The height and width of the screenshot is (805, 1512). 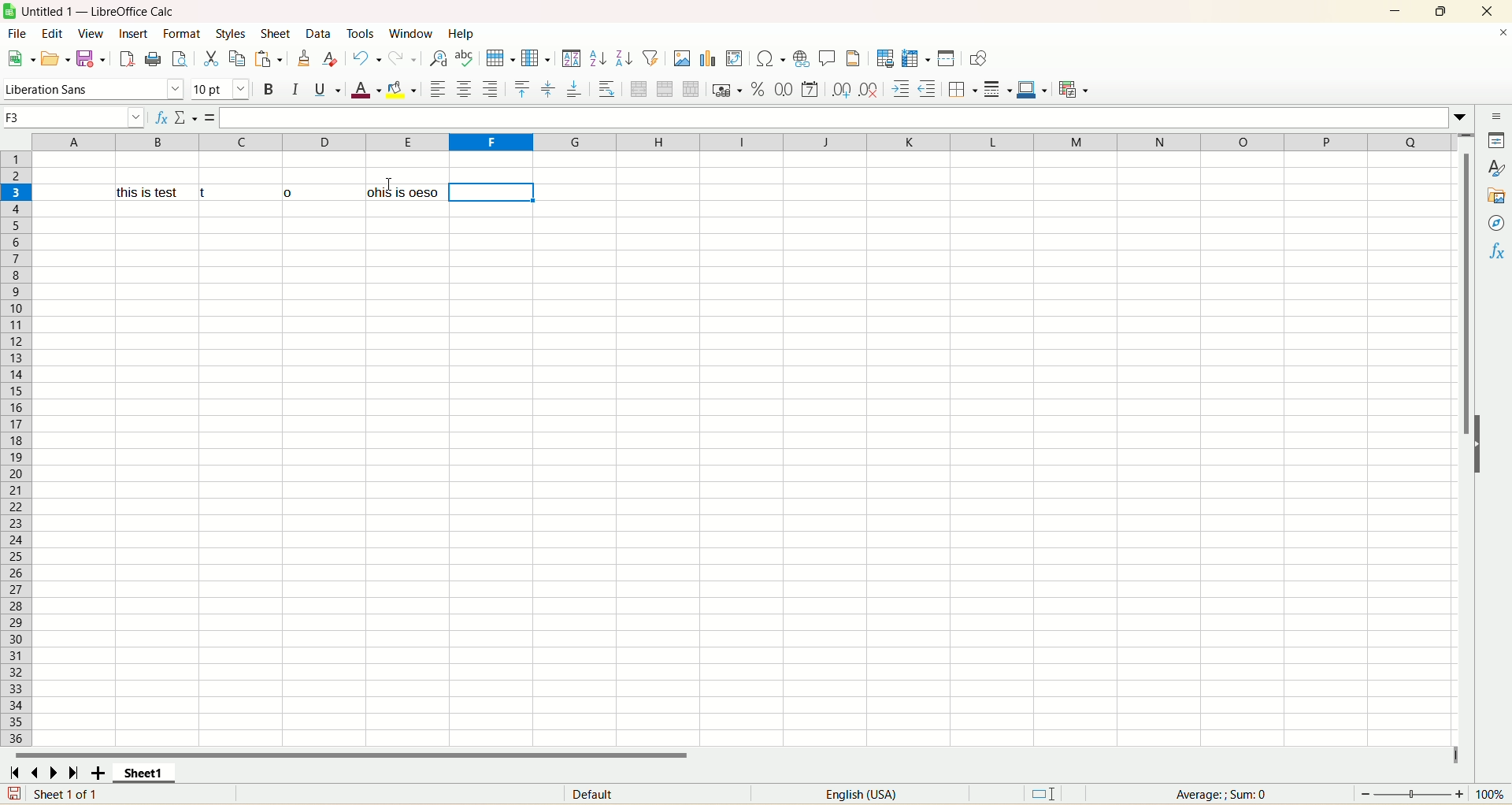 What do you see at coordinates (1495, 196) in the screenshot?
I see `gallery` at bounding box center [1495, 196].